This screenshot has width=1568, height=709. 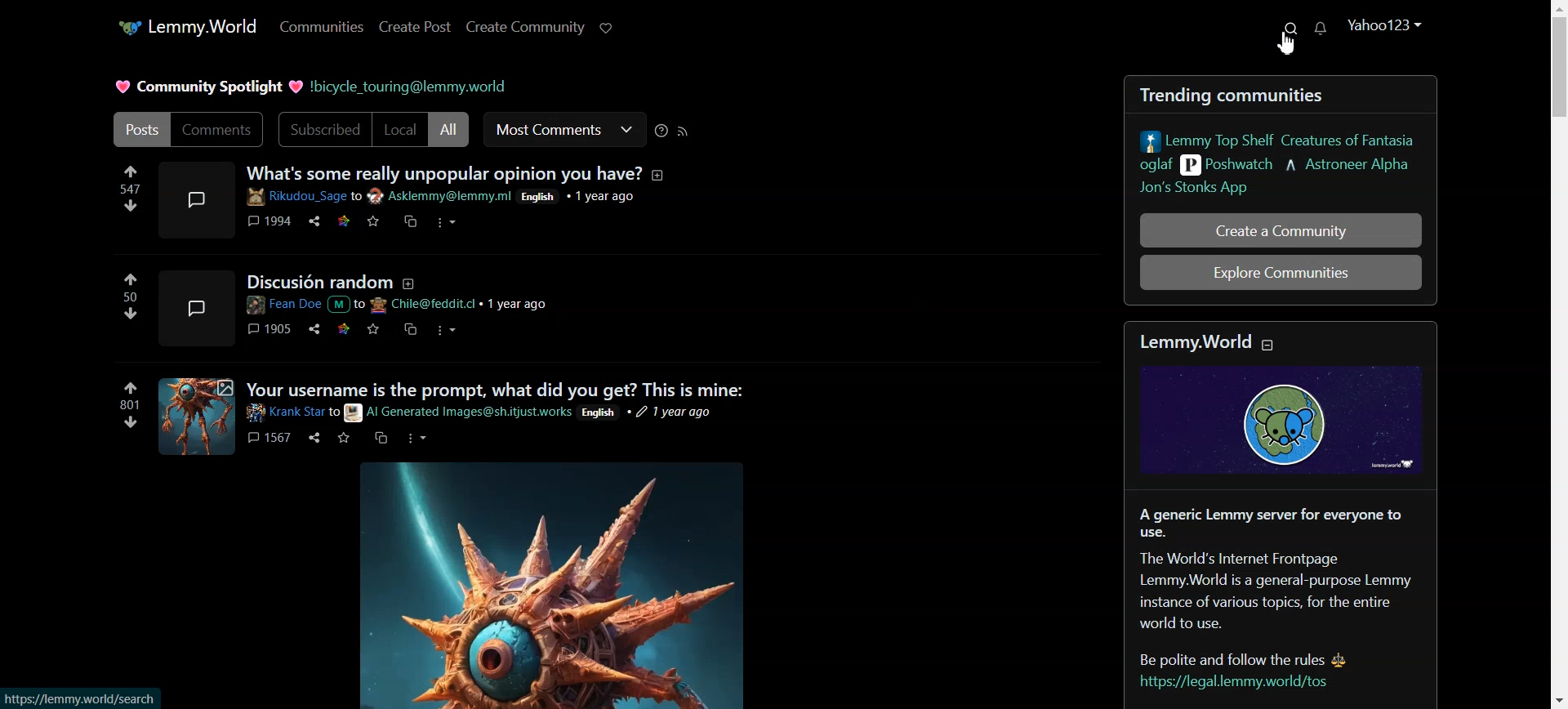 What do you see at coordinates (267, 437) in the screenshot?
I see `1567 comment` at bounding box center [267, 437].